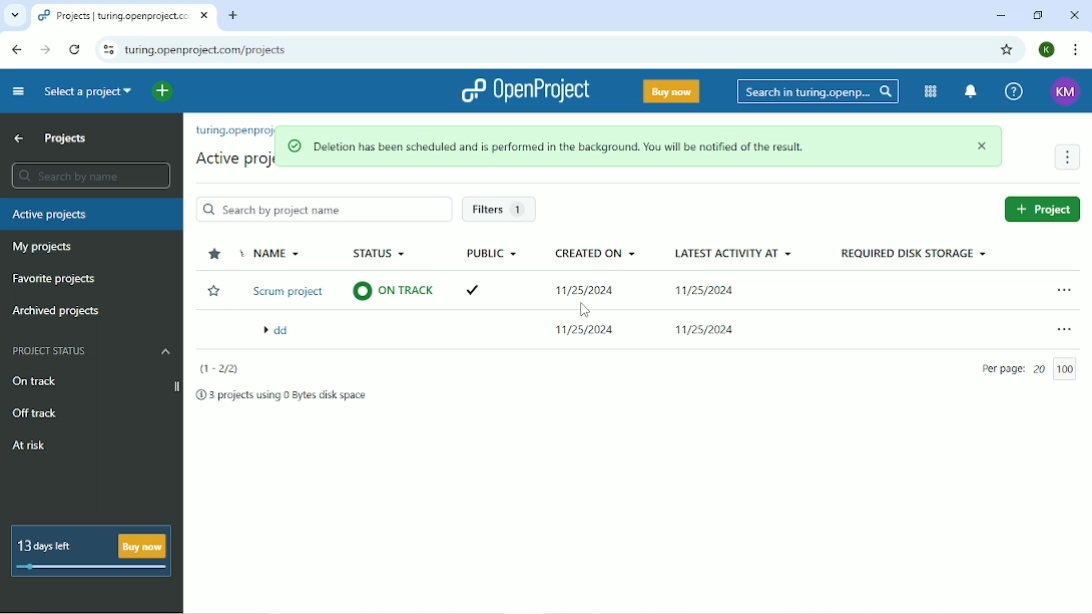 This screenshot has width=1092, height=614. What do you see at coordinates (470, 330) in the screenshot?
I see `ticked` at bounding box center [470, 330].